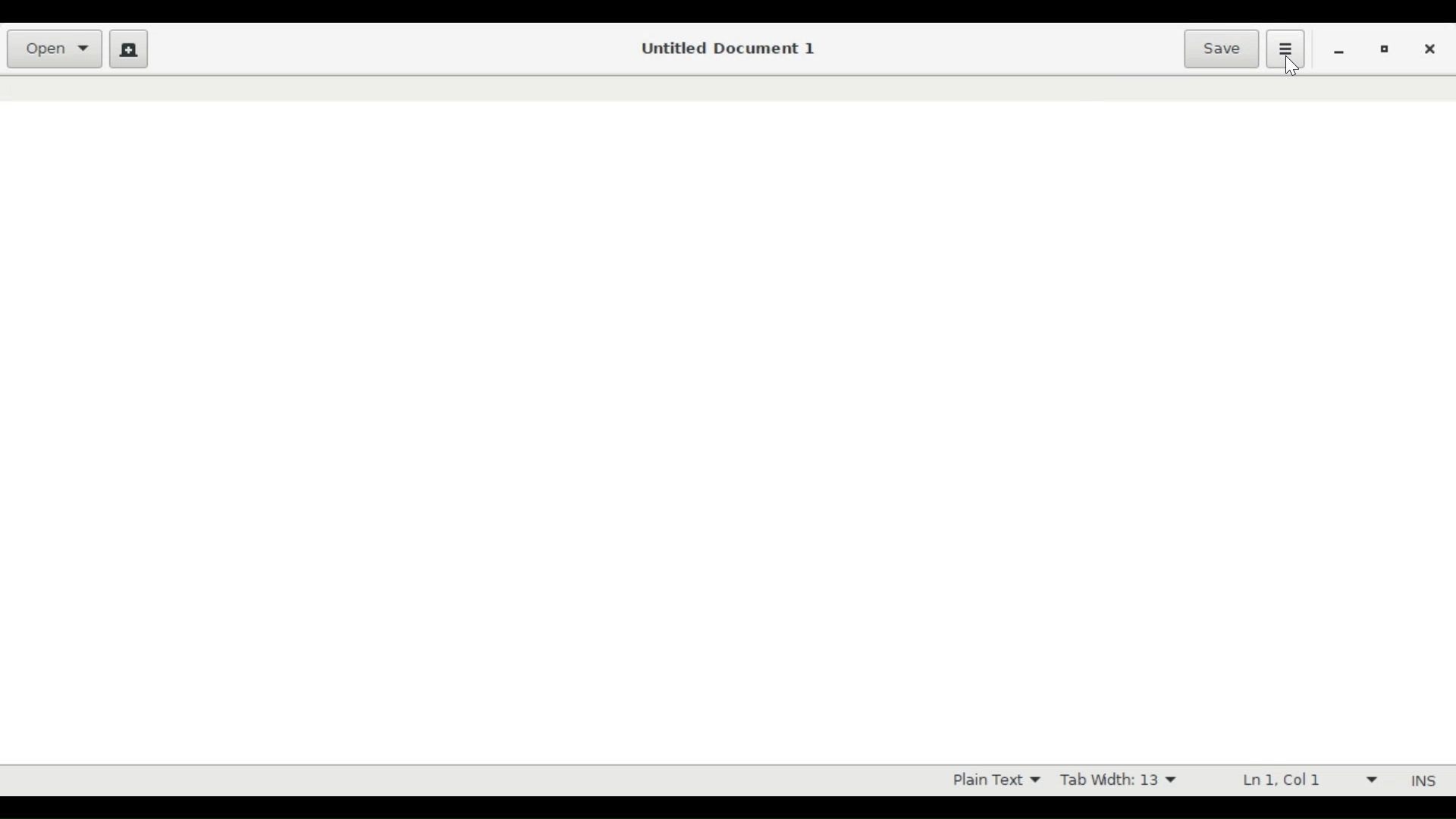 The height and width of the screenshot is (819, 1456). What do you see at coordinates (727, 419) in the screenshot?
I see `Text Entry Pane` at bounding box center [727, 419].